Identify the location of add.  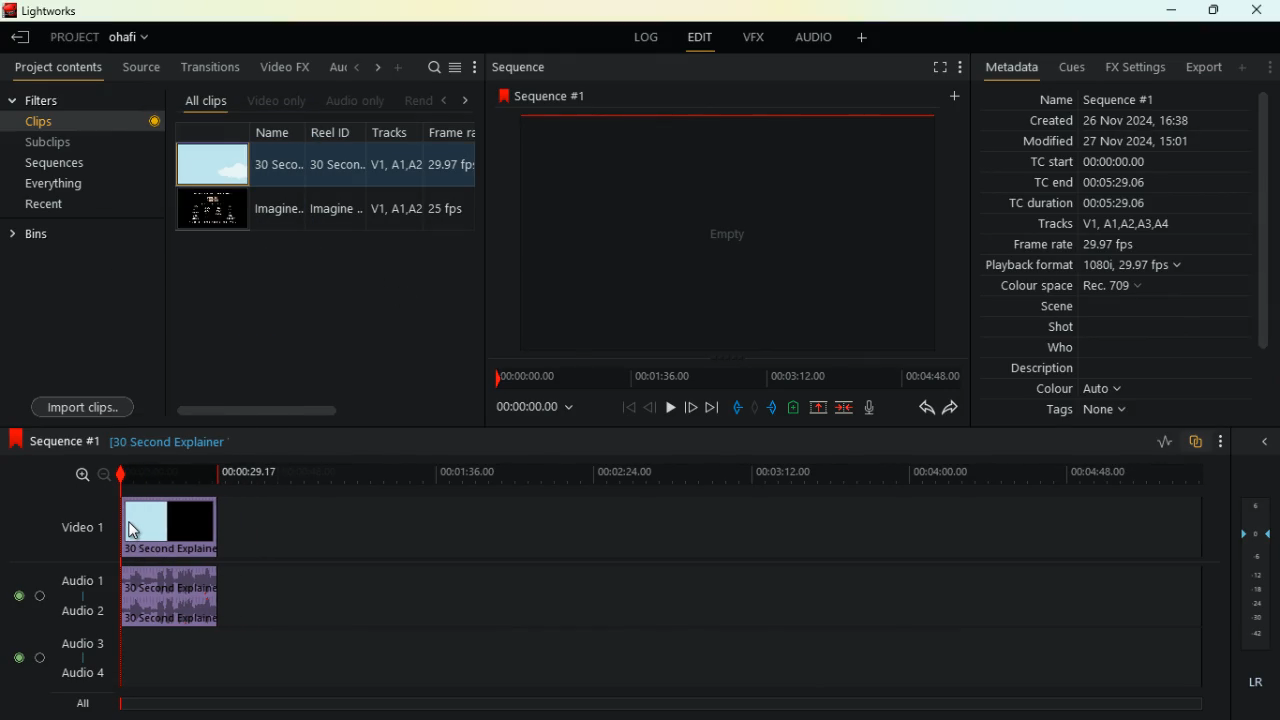
(866, 41).